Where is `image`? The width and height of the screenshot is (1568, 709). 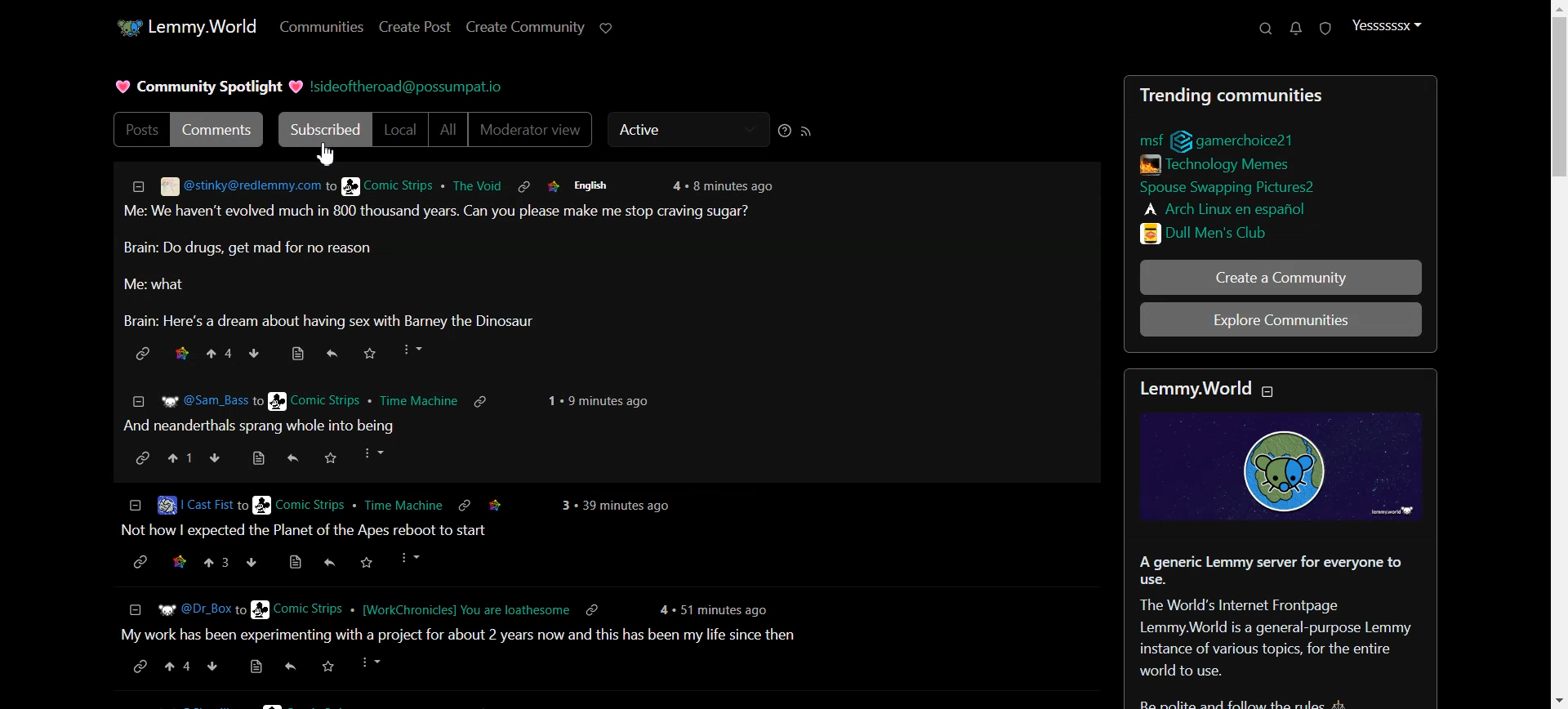 image is located at coordinates (1293, 469).